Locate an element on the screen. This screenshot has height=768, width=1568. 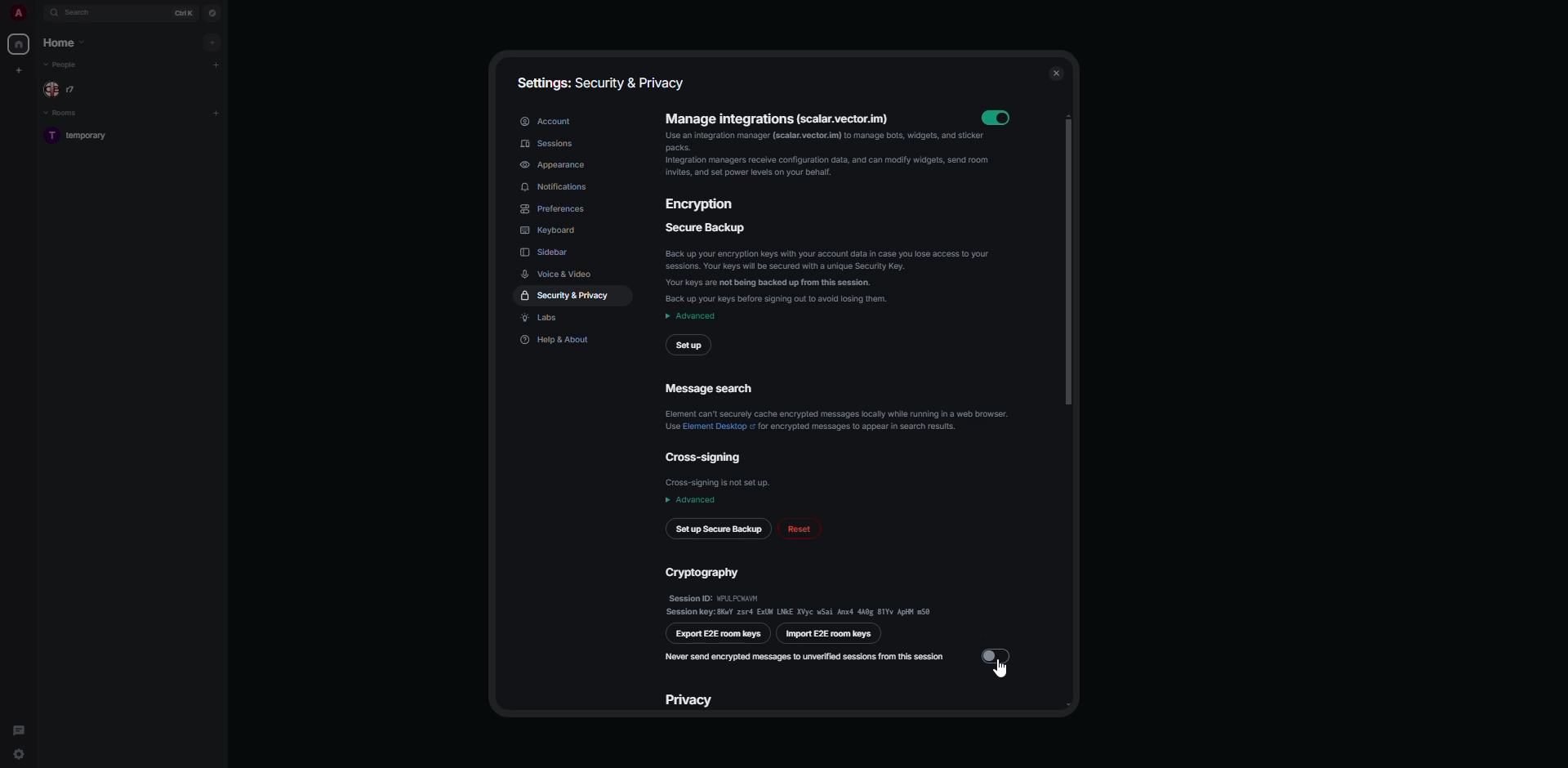
setup is located at coordinates (691, 345).